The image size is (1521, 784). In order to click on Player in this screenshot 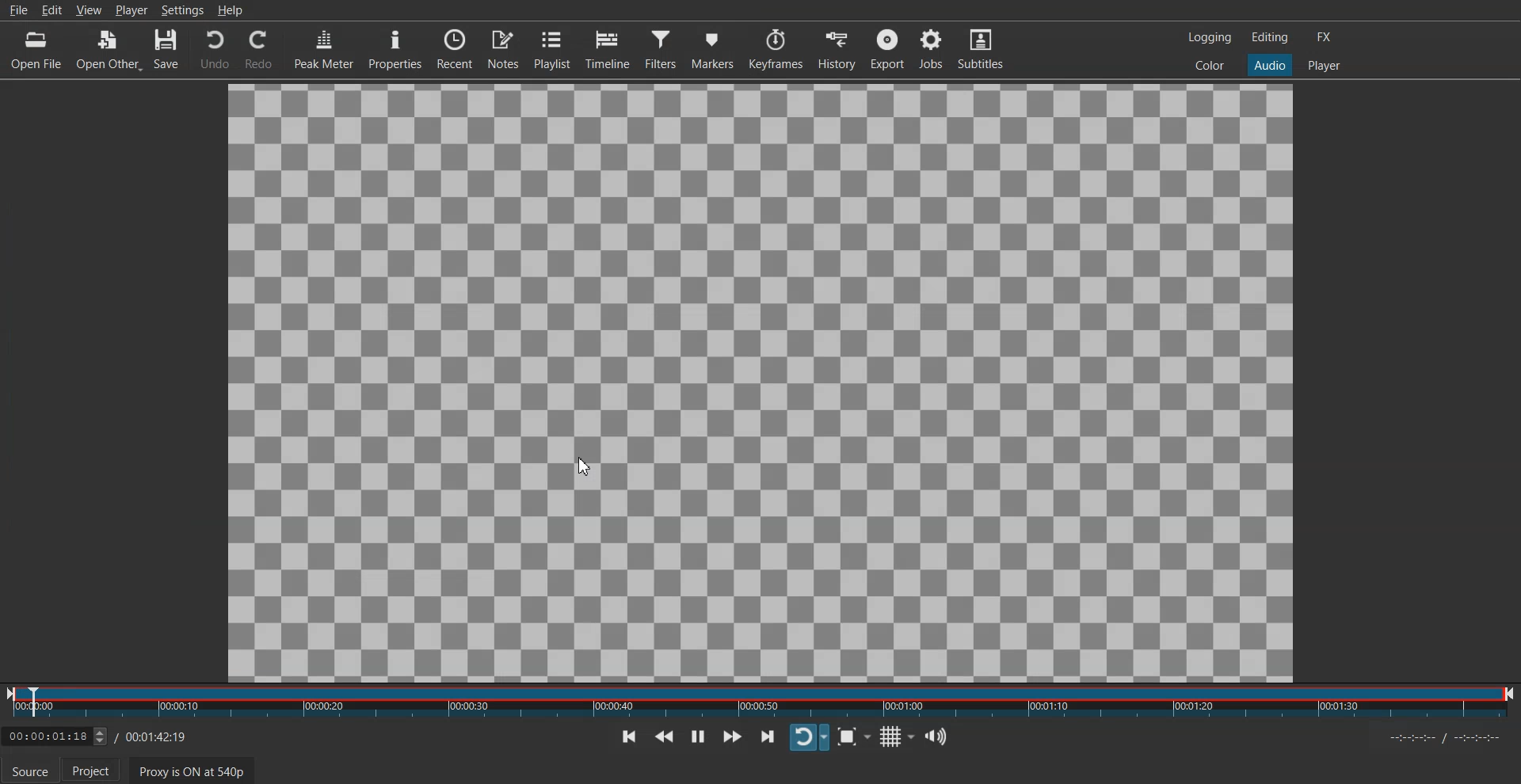, I will do `click(1324, 64)`.